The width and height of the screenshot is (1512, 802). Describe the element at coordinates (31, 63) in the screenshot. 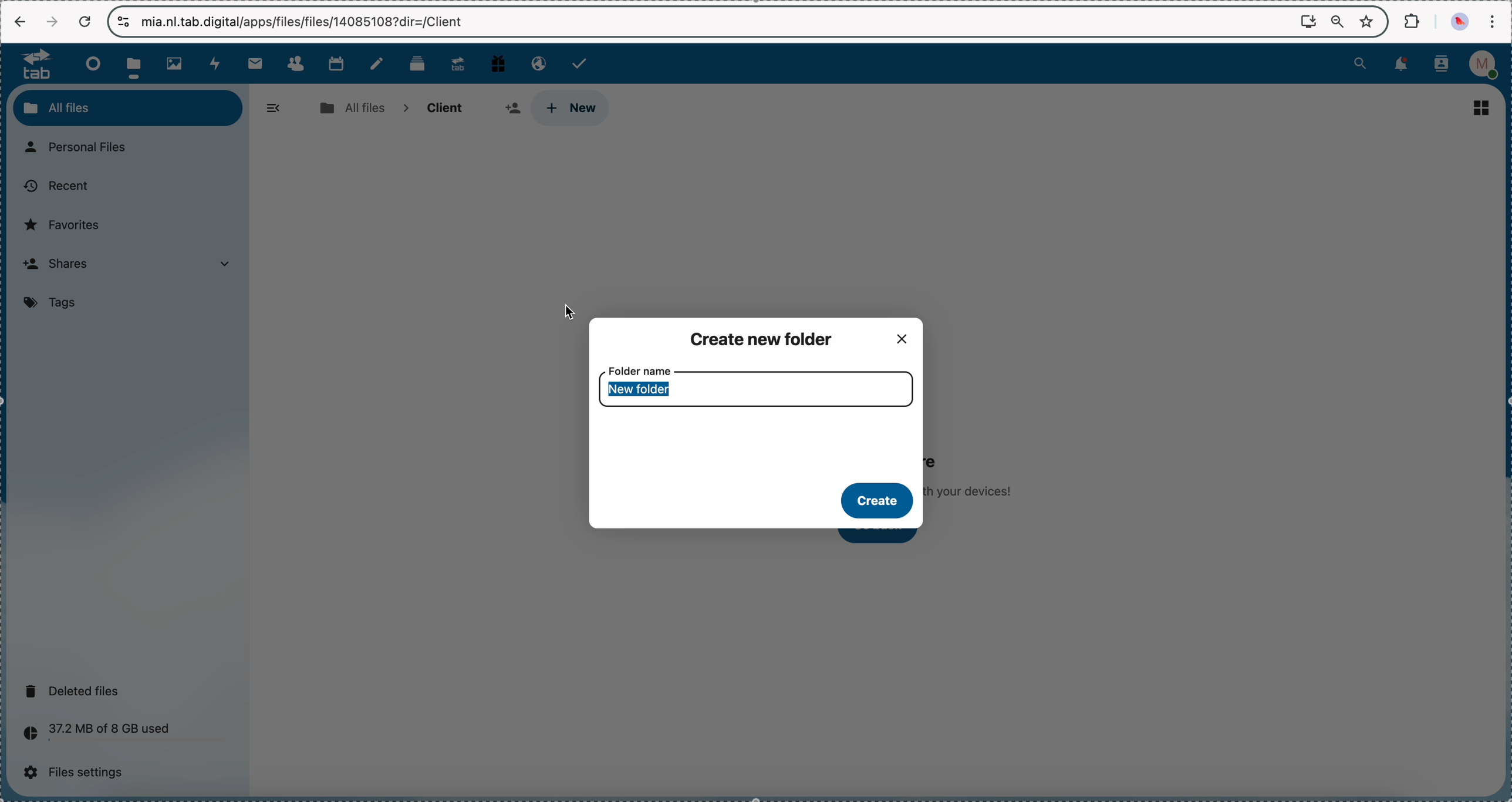

I see `tab` at that location.